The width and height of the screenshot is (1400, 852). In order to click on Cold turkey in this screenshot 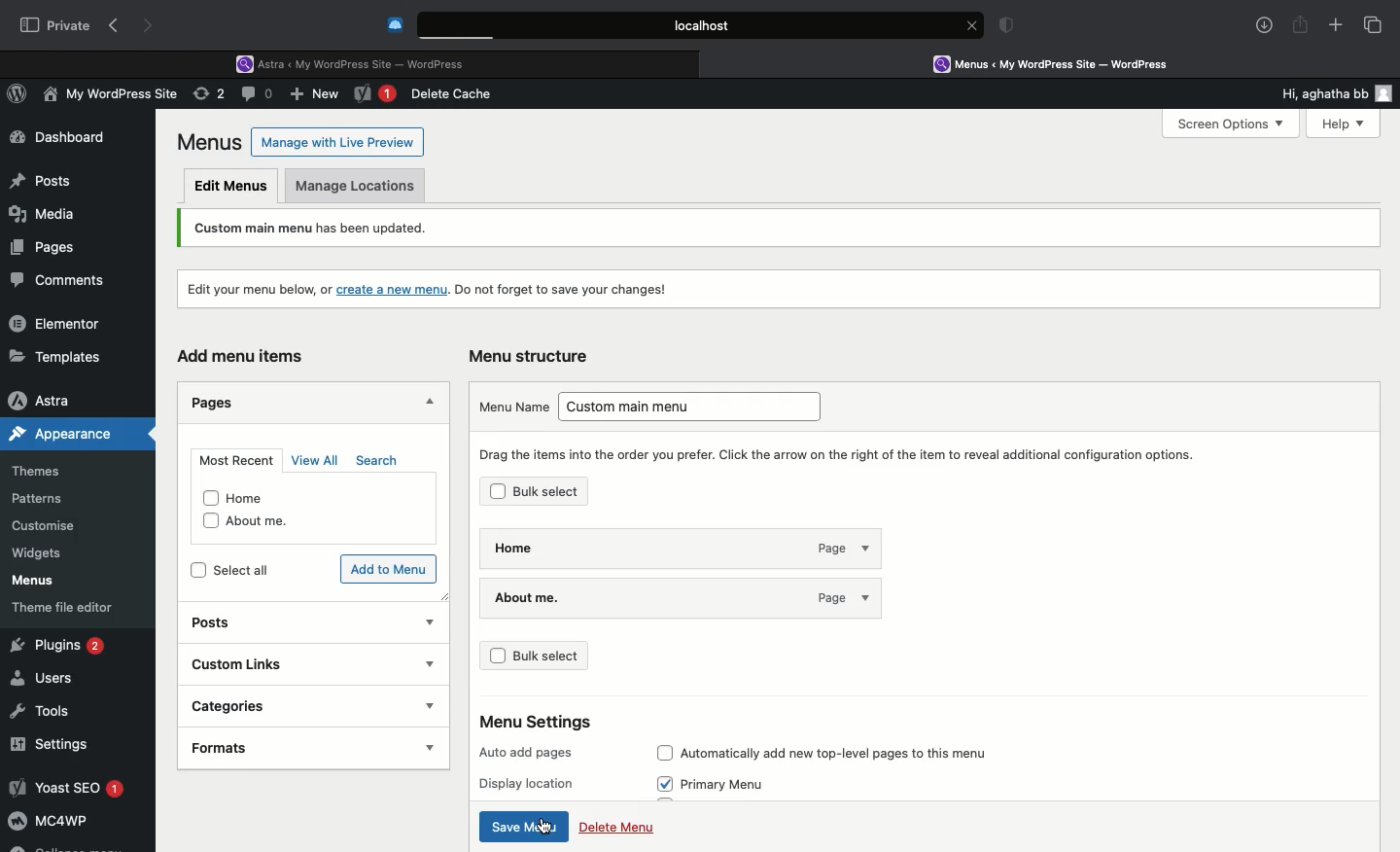, I will do `click(396, 25)`.